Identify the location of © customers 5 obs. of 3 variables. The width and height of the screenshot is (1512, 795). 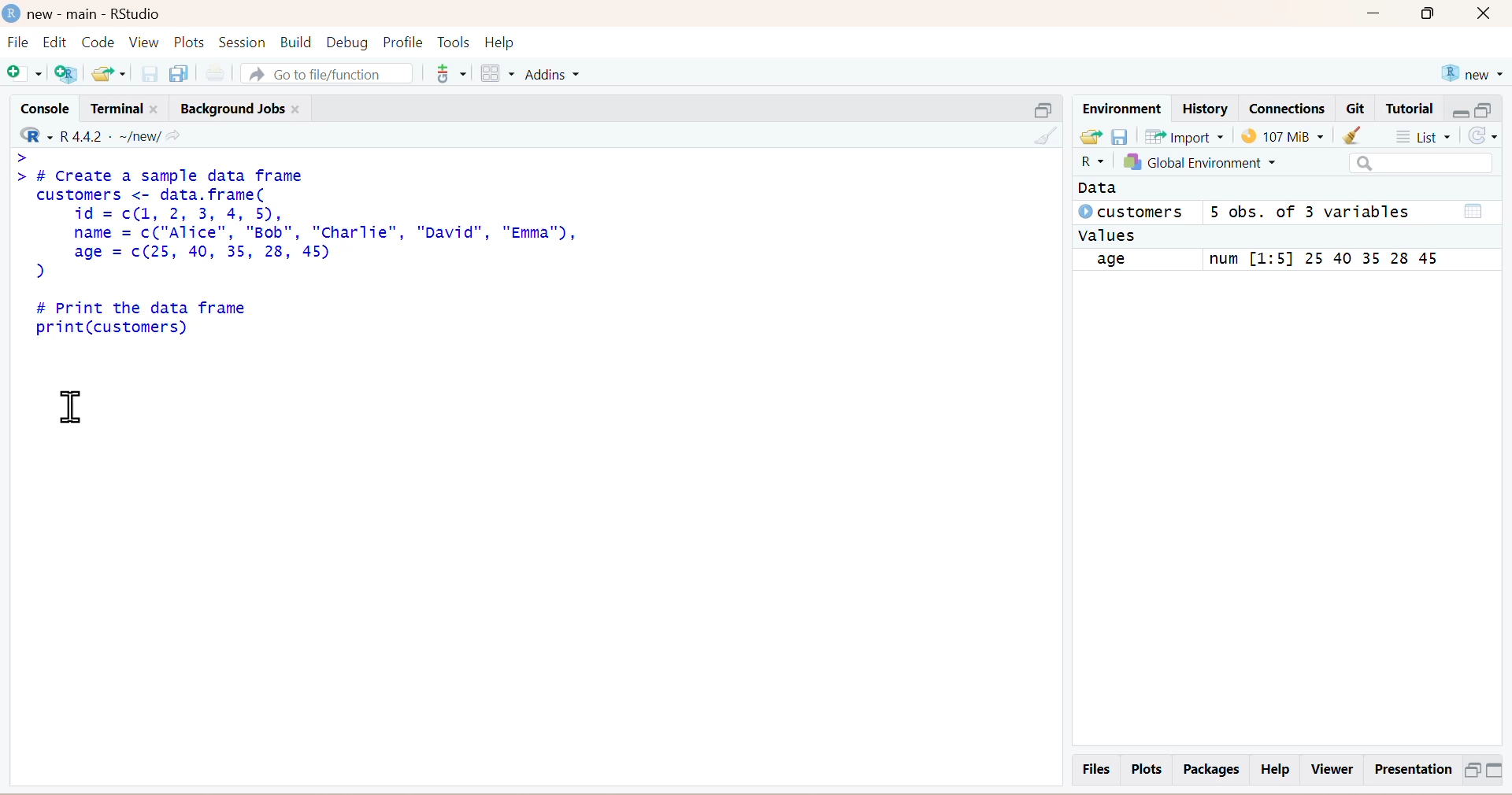
(1277, 213).